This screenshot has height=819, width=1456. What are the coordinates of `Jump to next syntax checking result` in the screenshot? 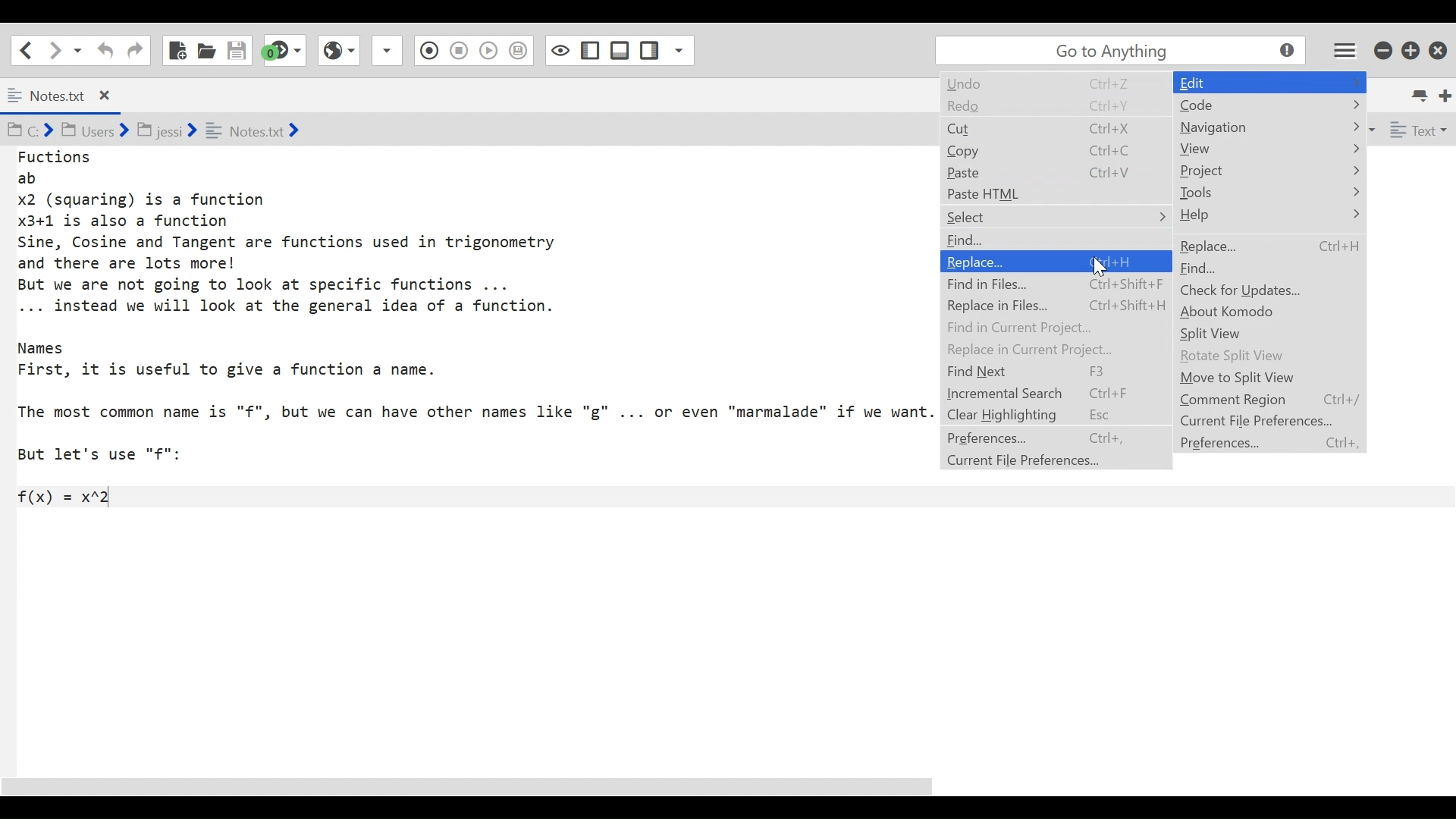 It's located at (284, 50).